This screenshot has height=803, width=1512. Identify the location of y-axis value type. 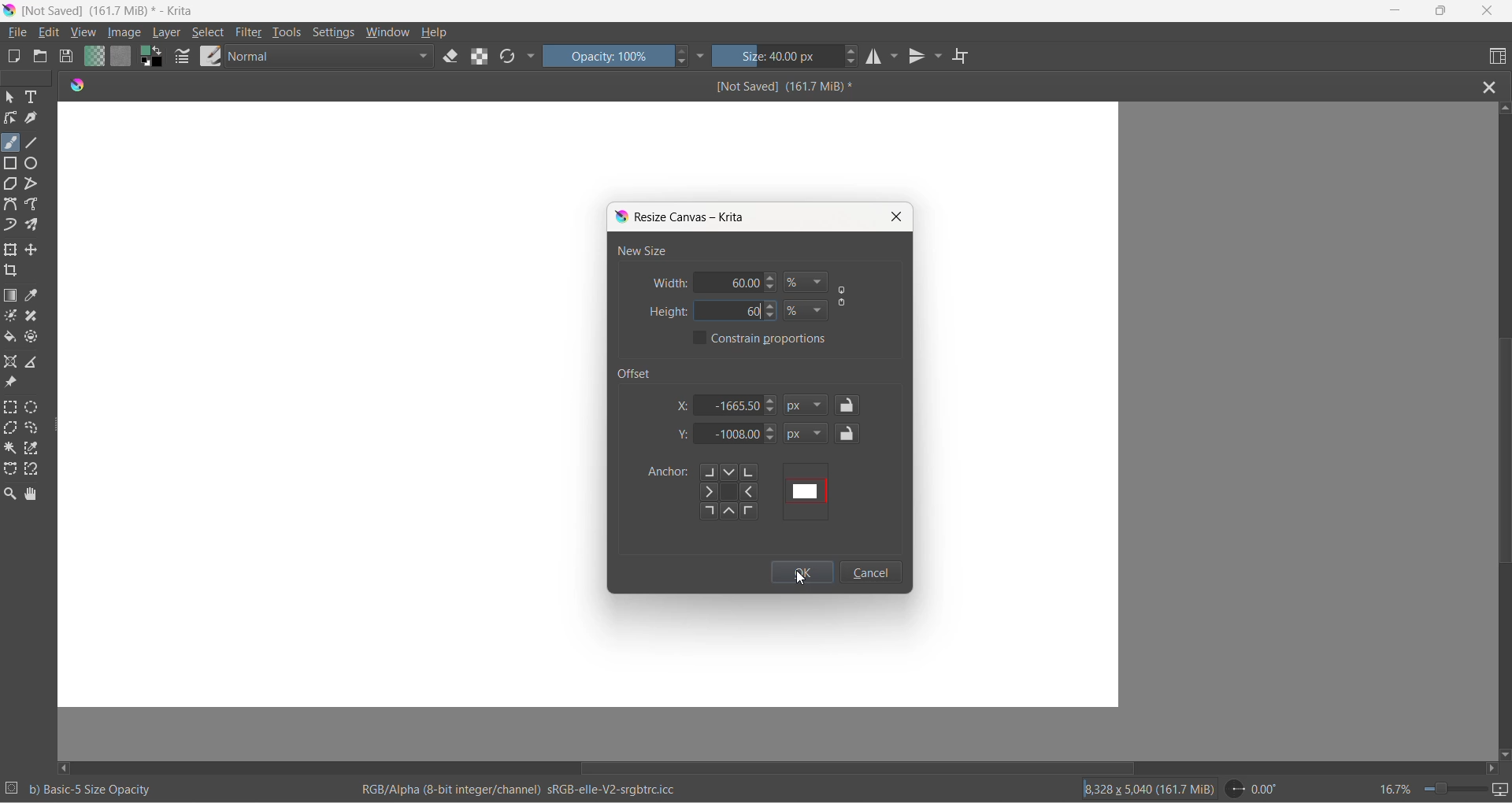
(807, 435).